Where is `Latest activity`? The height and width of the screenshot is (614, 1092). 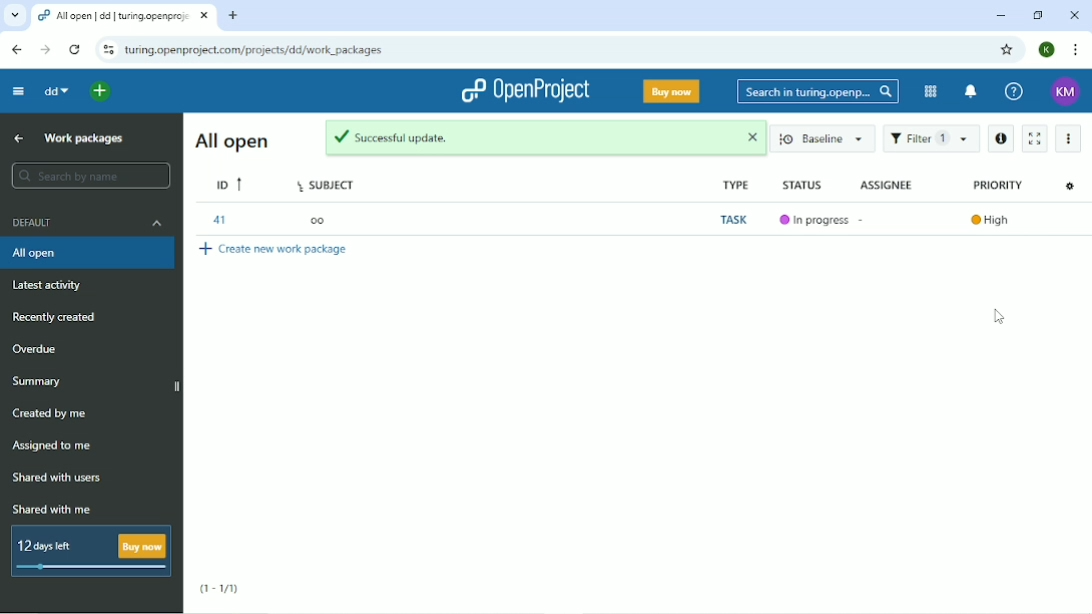
Latest activity is located at coordinates (51, 286).